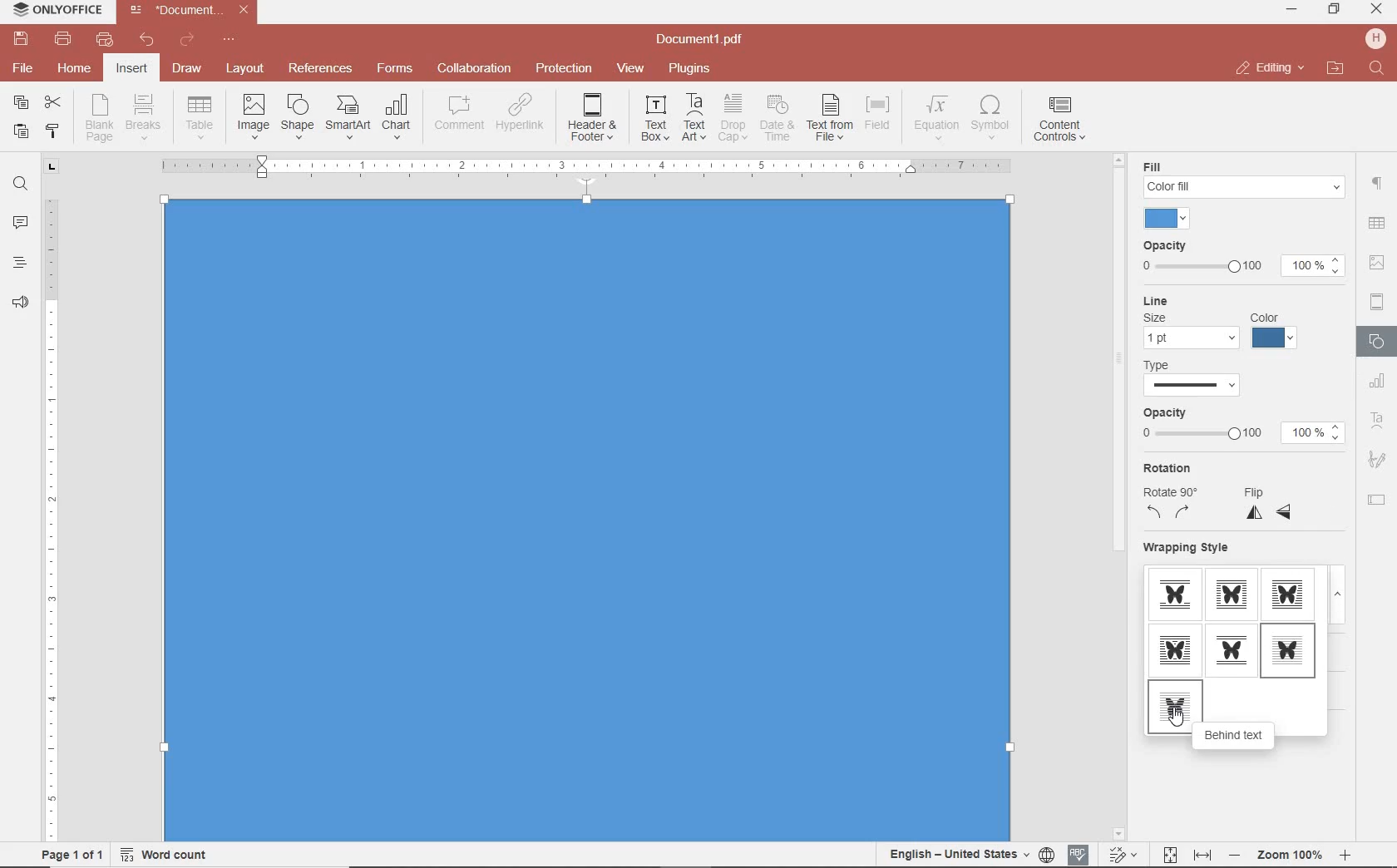 The height and width of the screenshot is (868, 1397). Describe the element at coordinates (205, 116) in the screenshot. I see `insert drop down` at that location.